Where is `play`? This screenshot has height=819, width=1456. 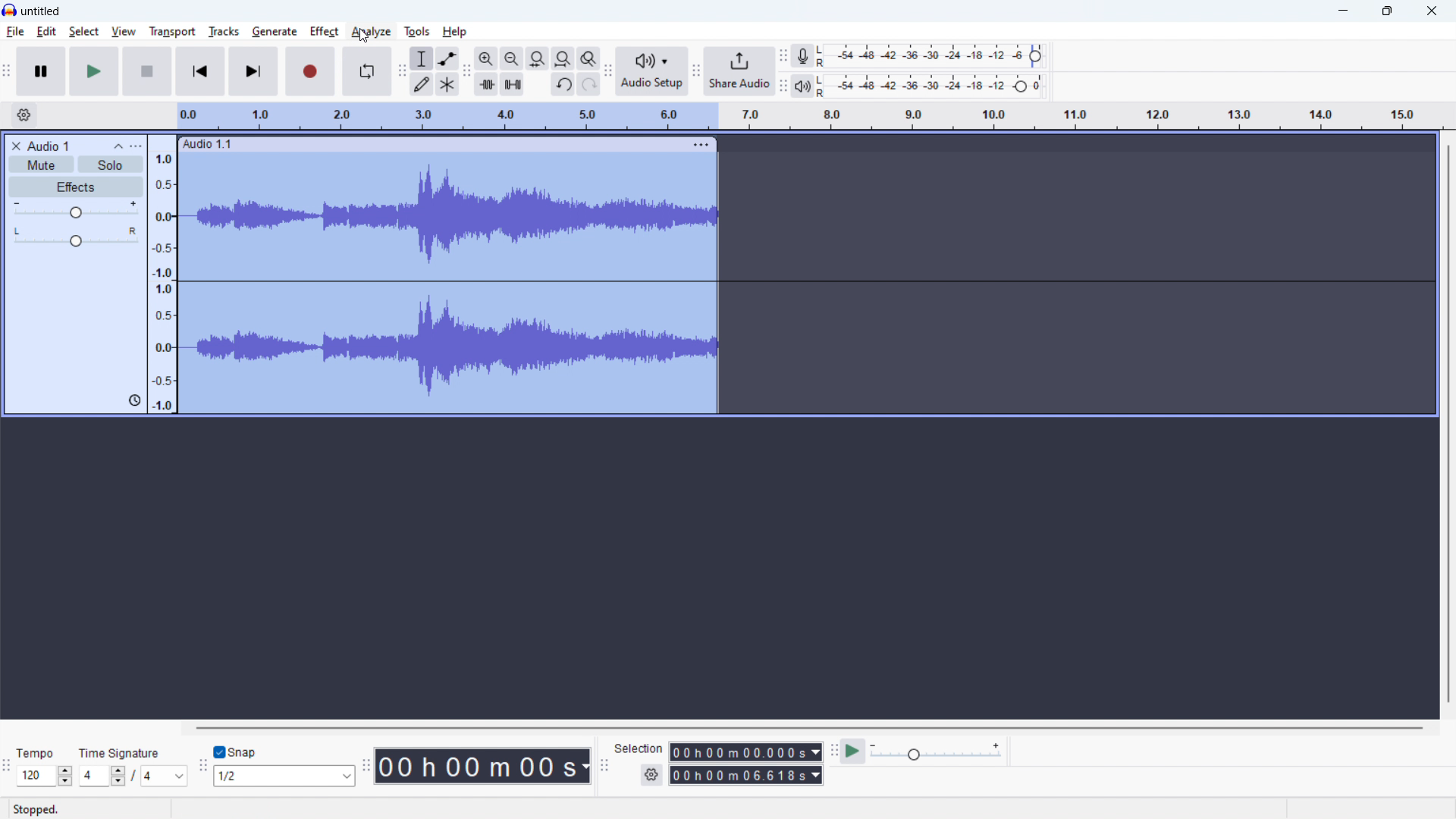
play is located at coordinates (95, 71).